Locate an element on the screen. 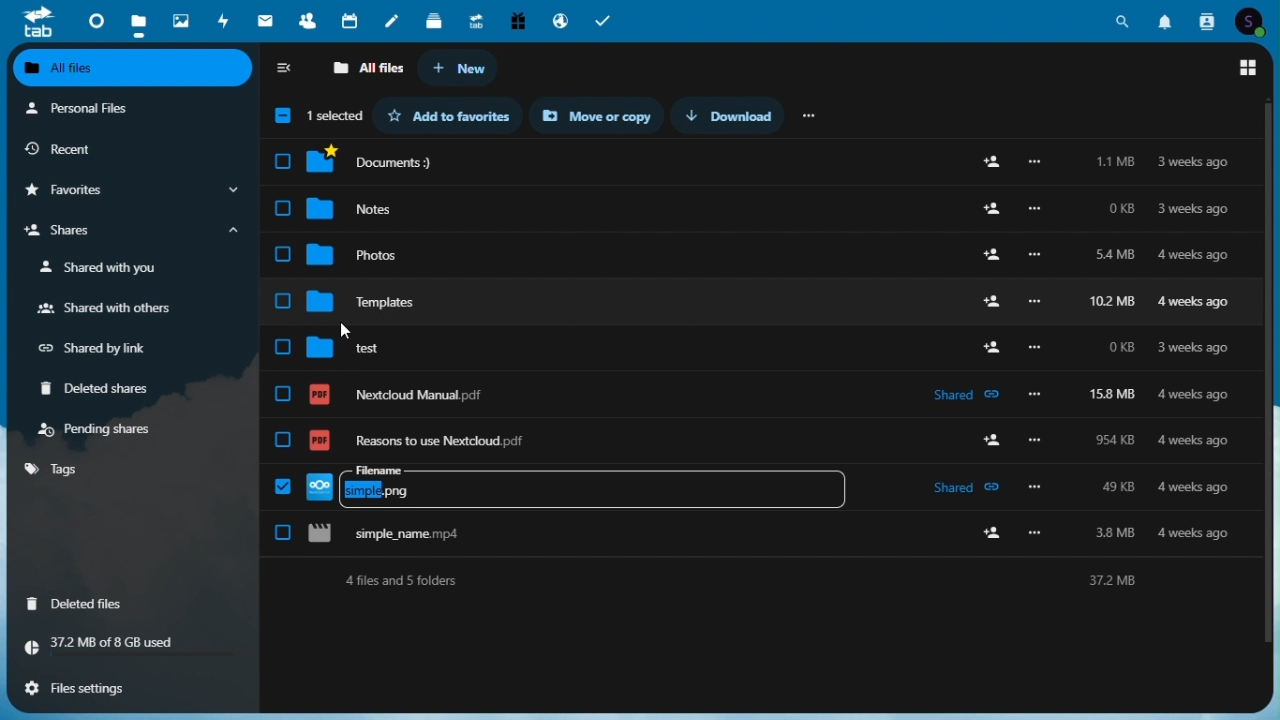 The image size is (1280, 720). contacts is located at coordinates (307, 20).